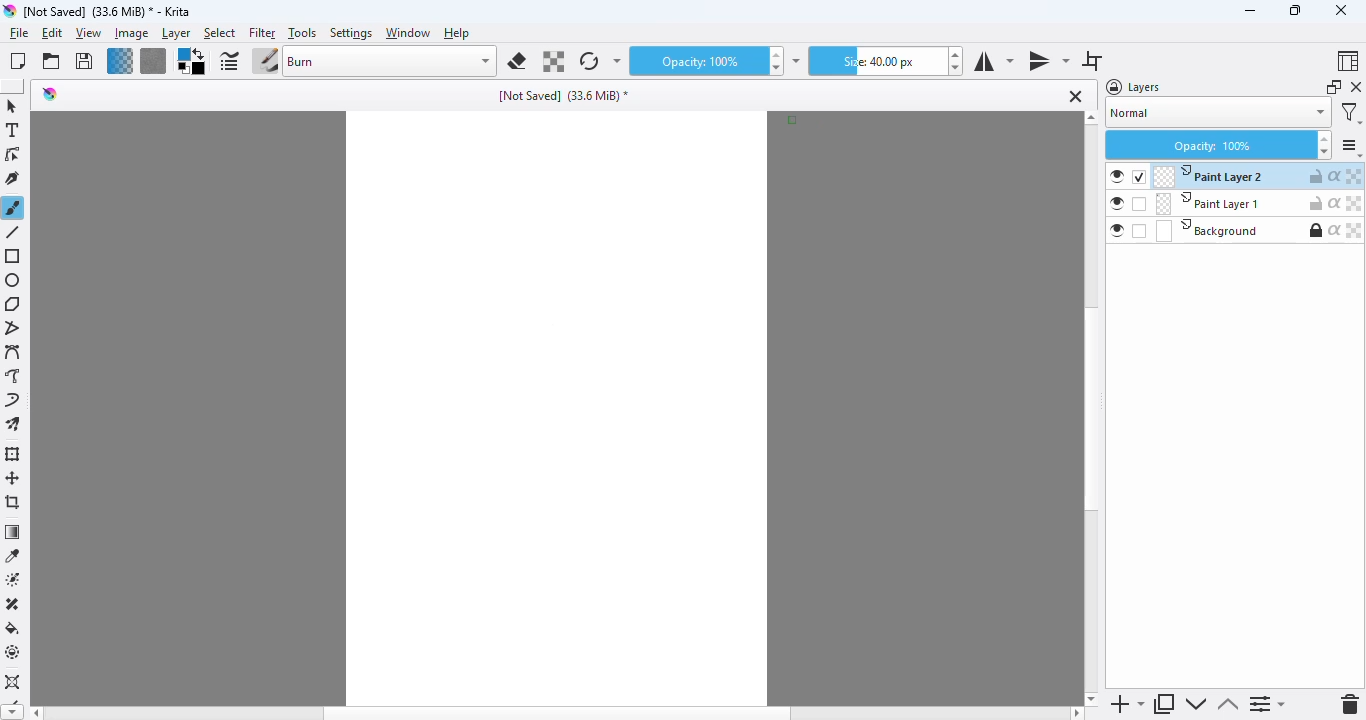  What do you see at coordinates (517, 61) in the screenshot?
I see `set eraser mode` at bounding box center [517, 61].